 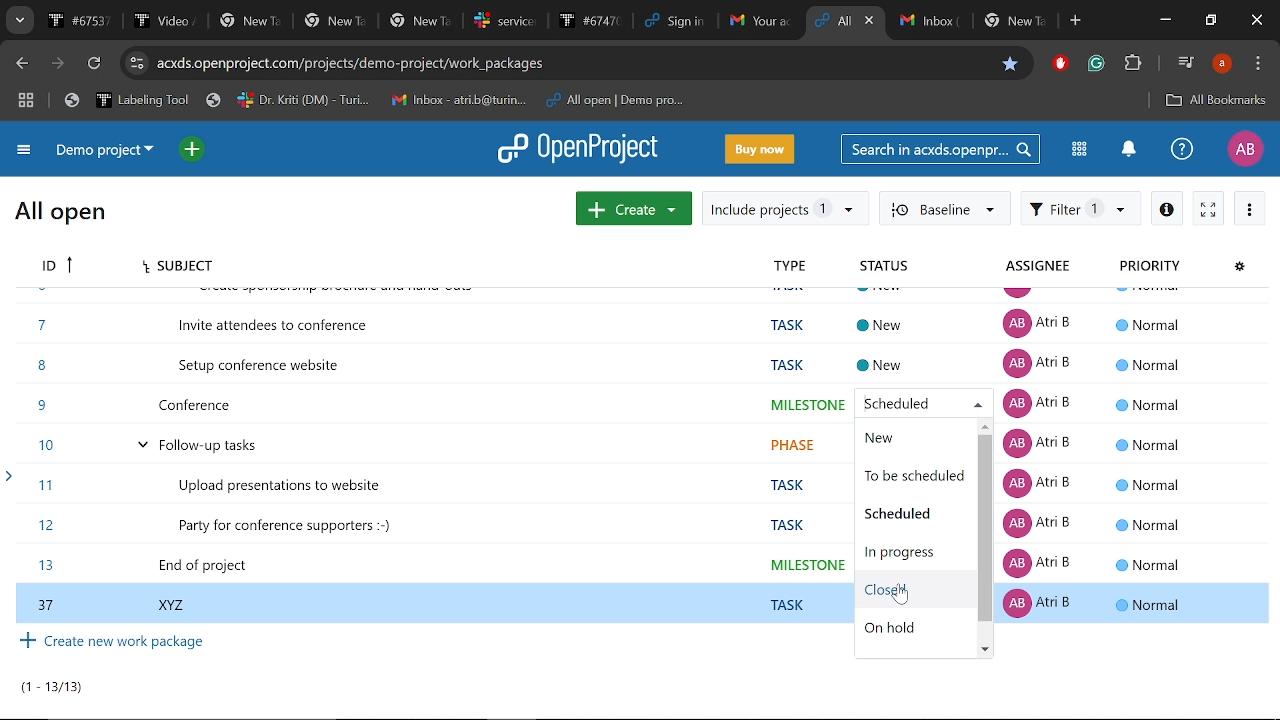 I want to click on Open details view, so click(x=1167, y=208).